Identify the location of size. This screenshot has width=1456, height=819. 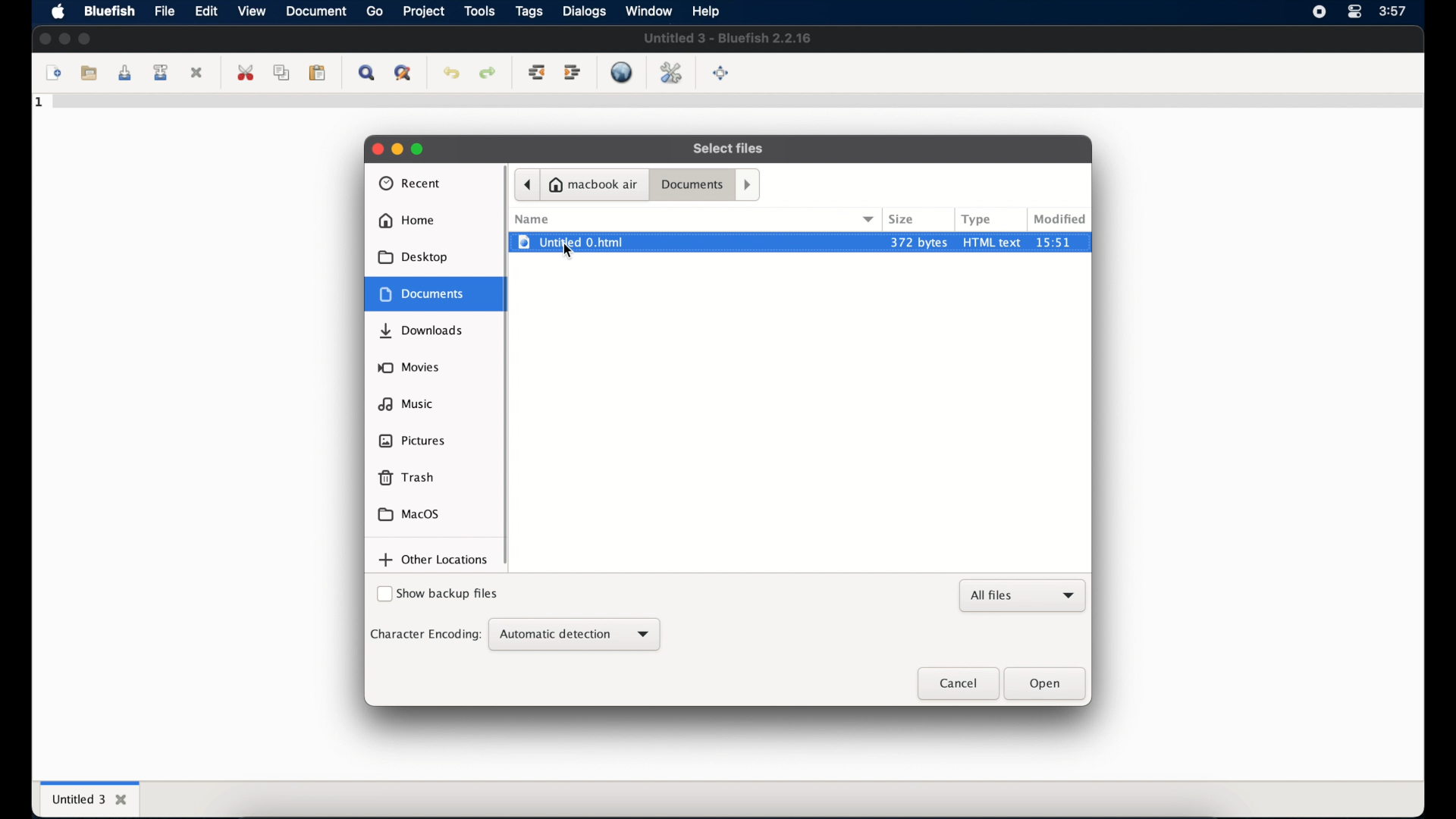
(902, 219).